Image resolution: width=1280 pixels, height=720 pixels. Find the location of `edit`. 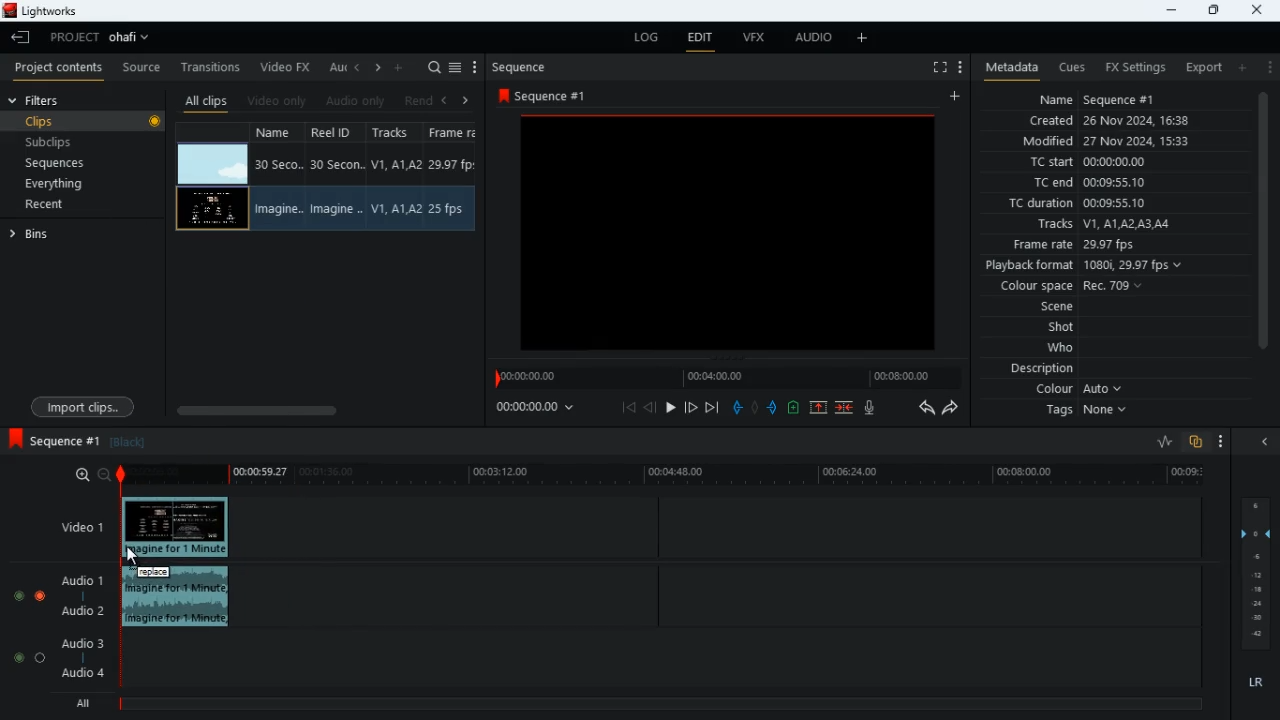

edit is located at coordinates (702, 39).